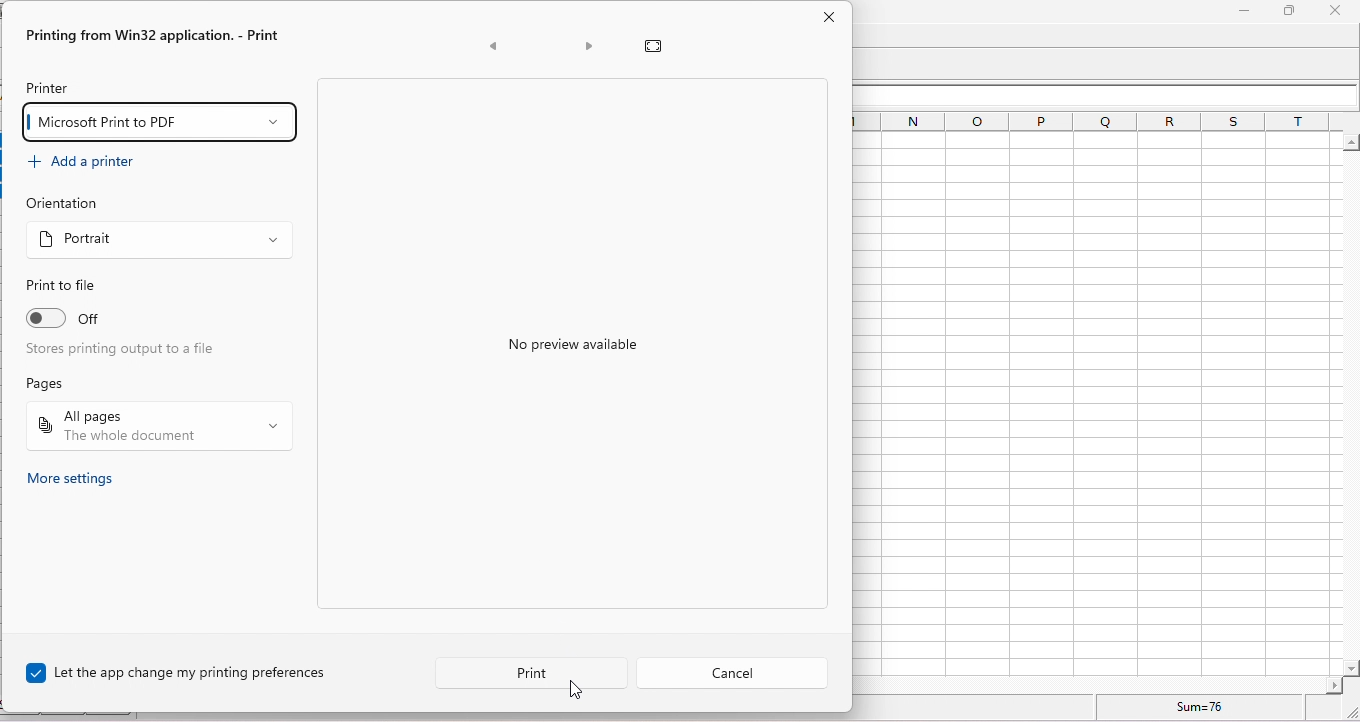 This screenshot has height=722, width=1360. Describe the element at coordinates (830, 19) in the screenshot. I see `close` at that location.